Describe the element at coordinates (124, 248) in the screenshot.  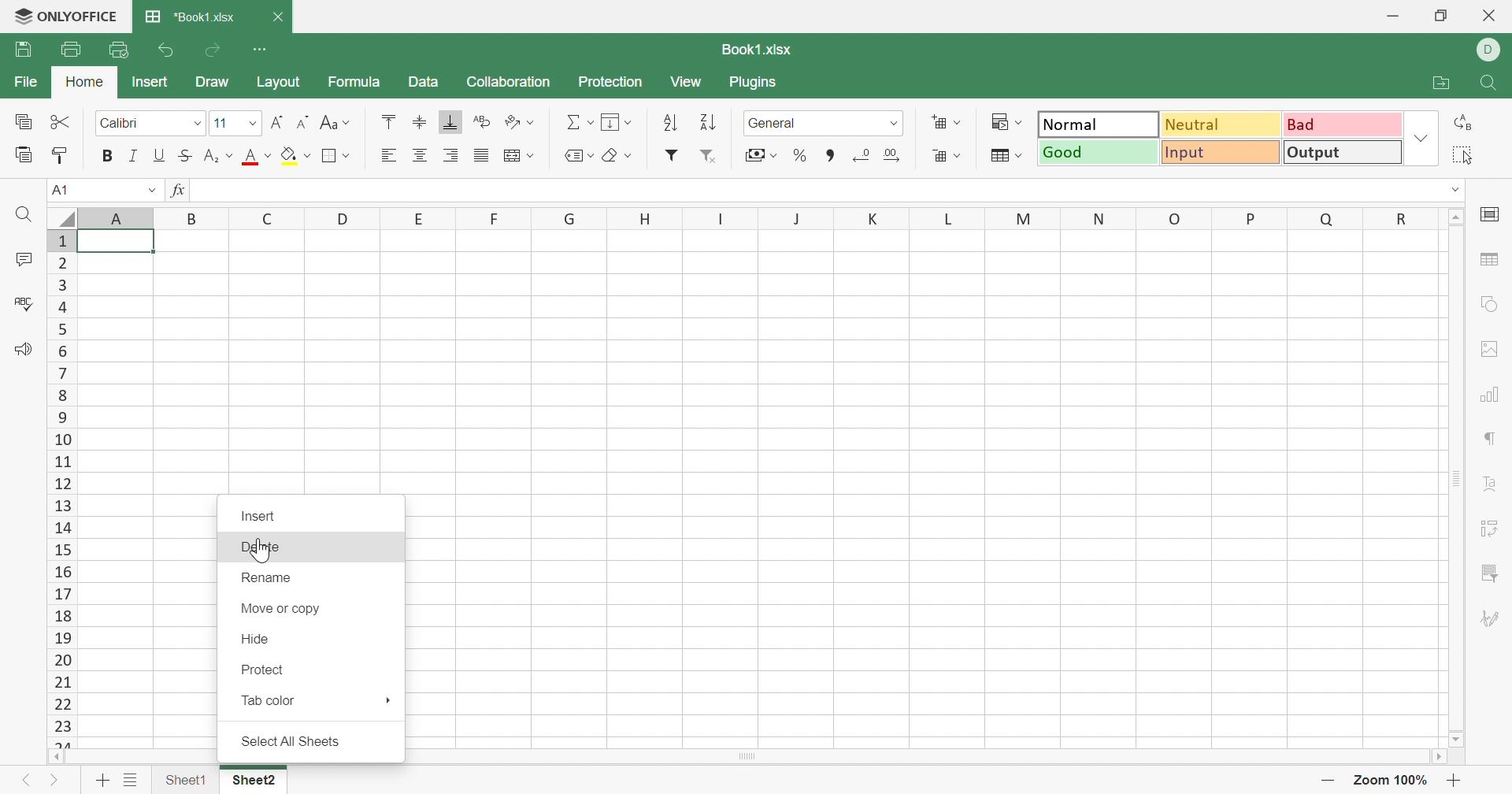
I see `Cell A1 highlighted` at that location.